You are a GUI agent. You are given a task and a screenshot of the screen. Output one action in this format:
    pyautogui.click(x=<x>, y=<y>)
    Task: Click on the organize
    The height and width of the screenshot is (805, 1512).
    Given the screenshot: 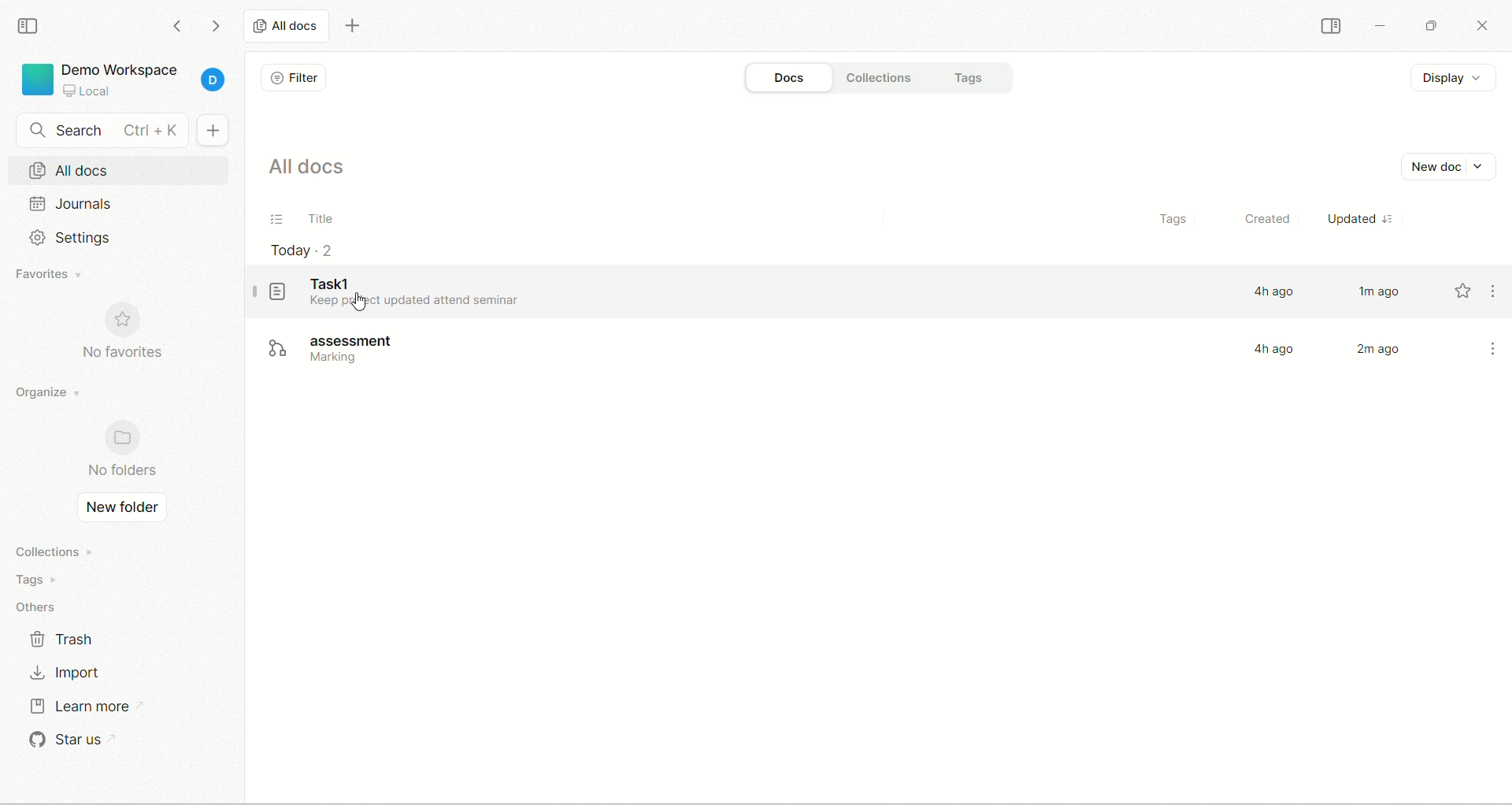 What is the action you would take?
    pyautogui.click(x=54, y=391)
    